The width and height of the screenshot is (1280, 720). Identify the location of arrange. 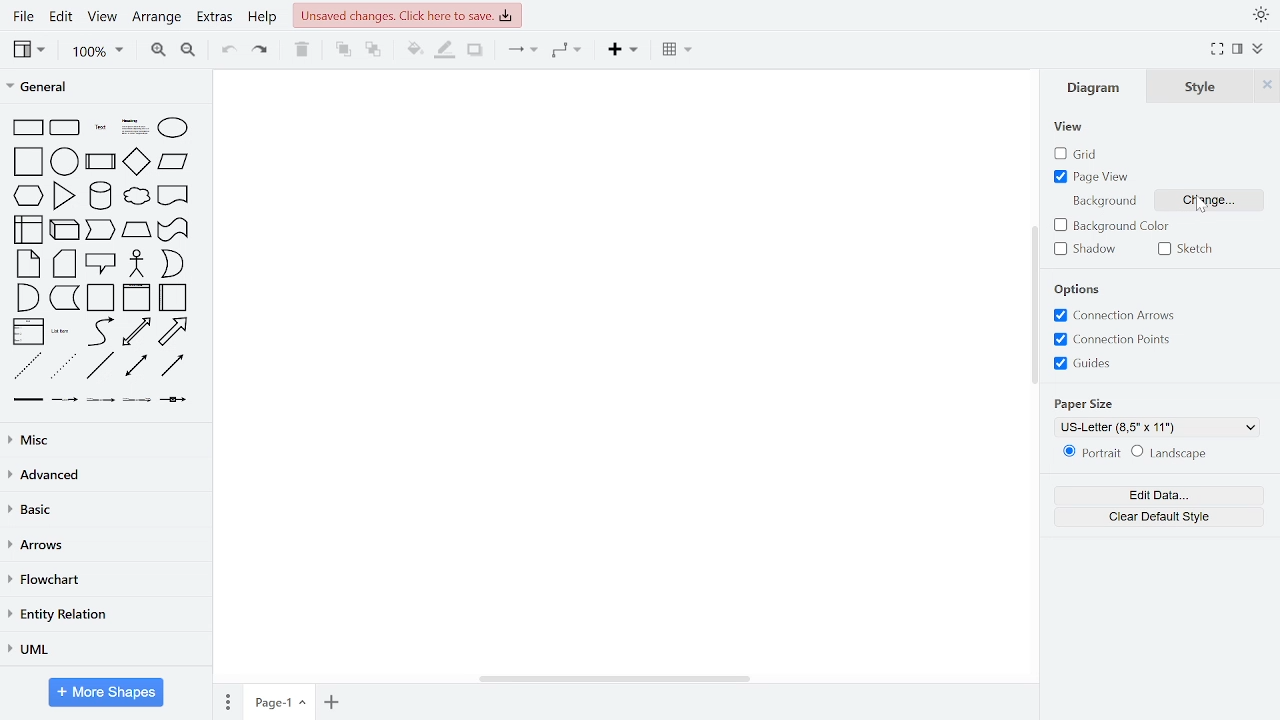
(156, 17).